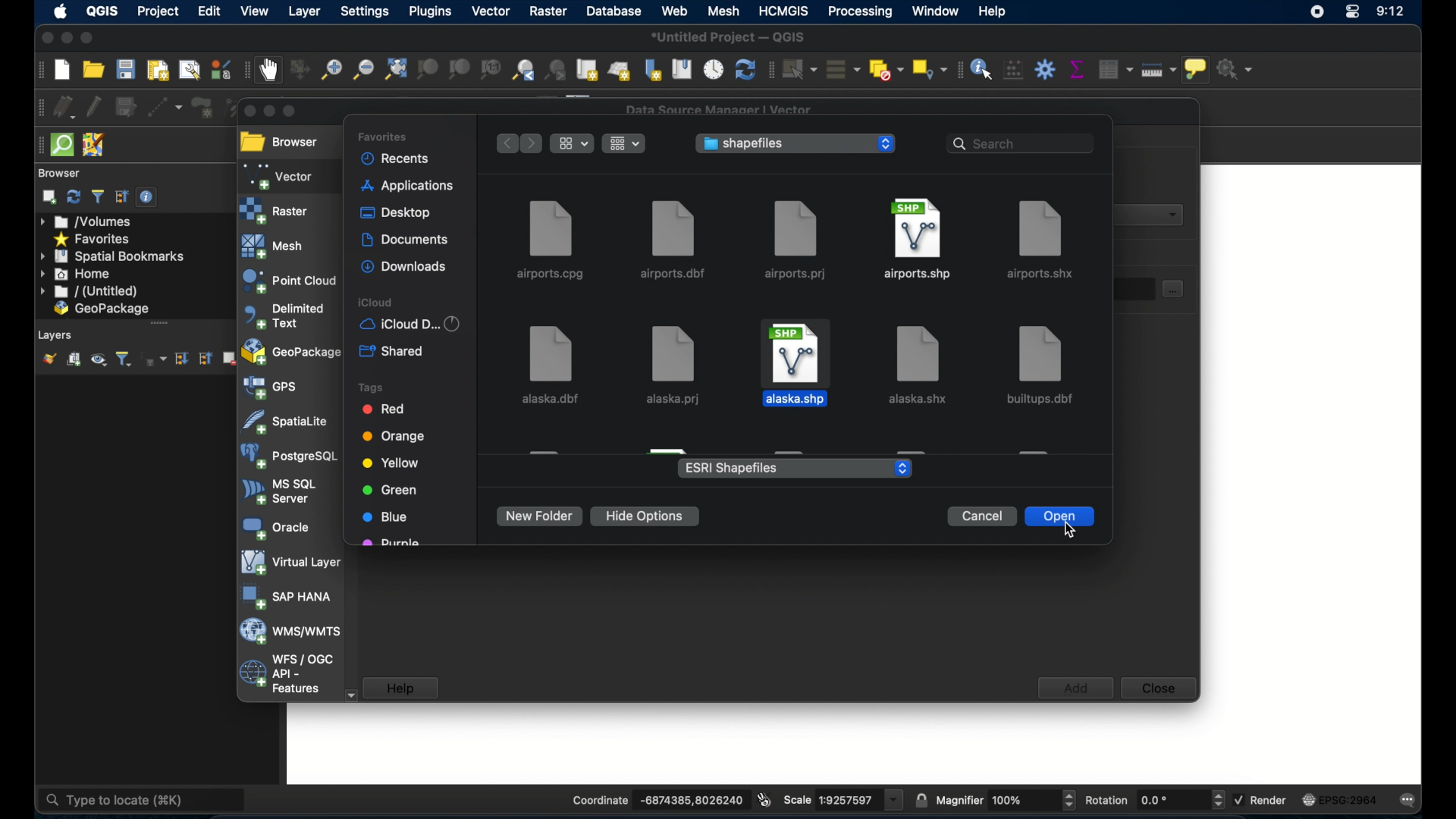 The width and height of the screenshot is (1456, 819). I want to click on new map view, so click(588, 69).